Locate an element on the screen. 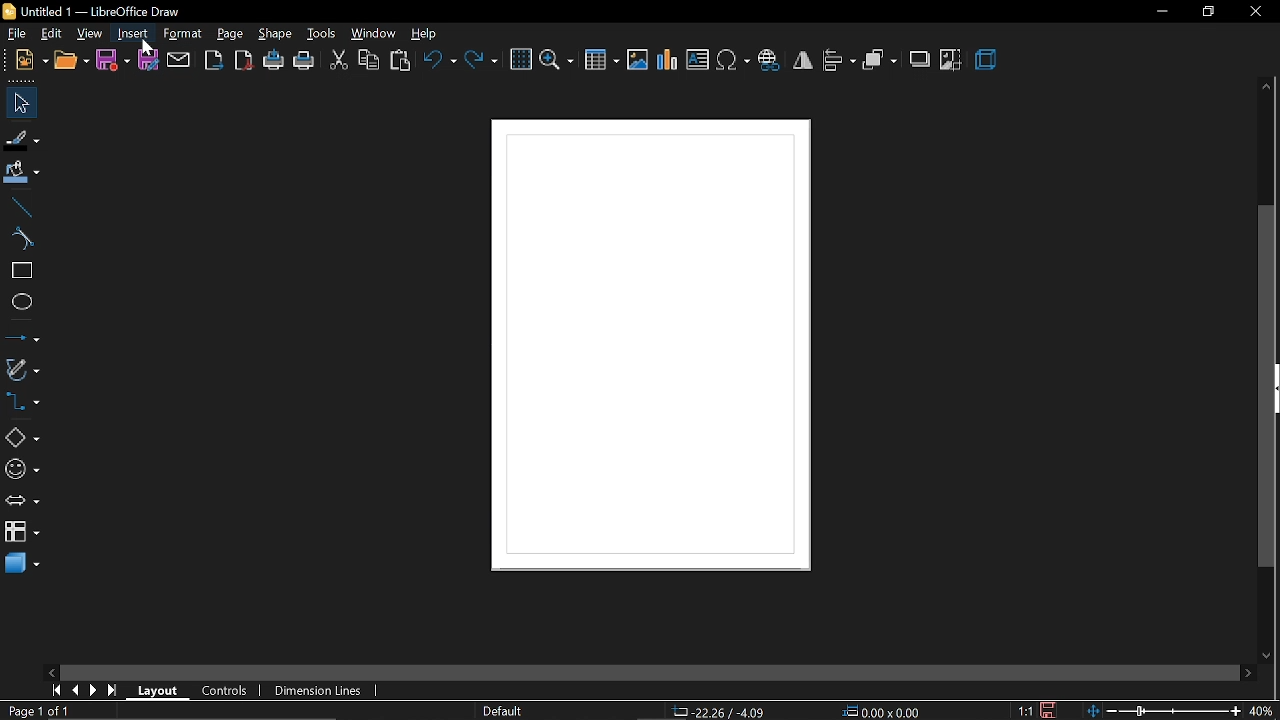 The image size is (1280, 720). cut  is located at coordinates (338, 61).